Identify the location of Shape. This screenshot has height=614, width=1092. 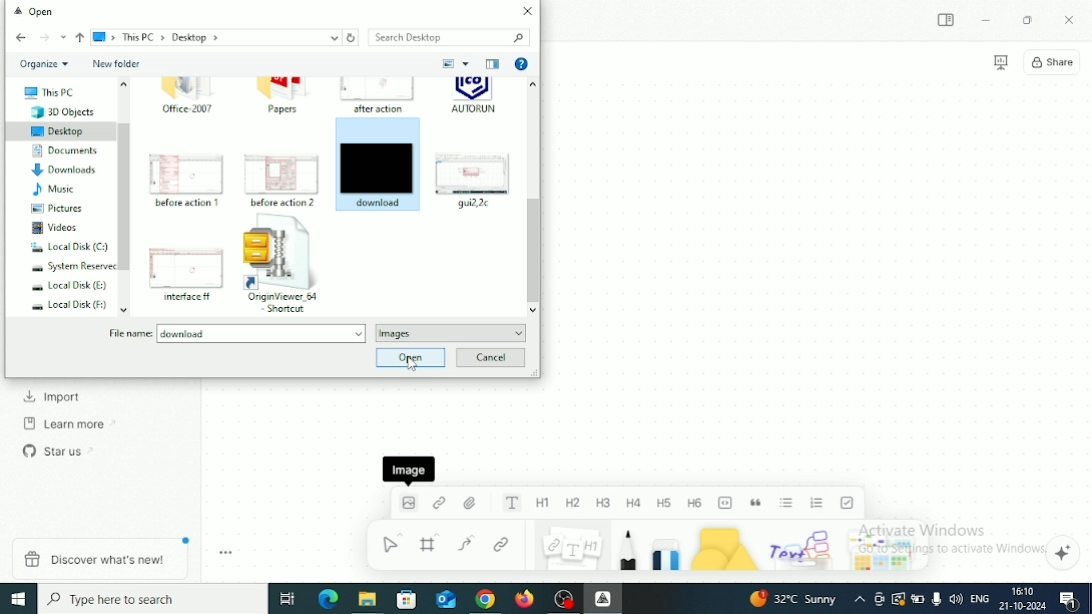
(726, 547).